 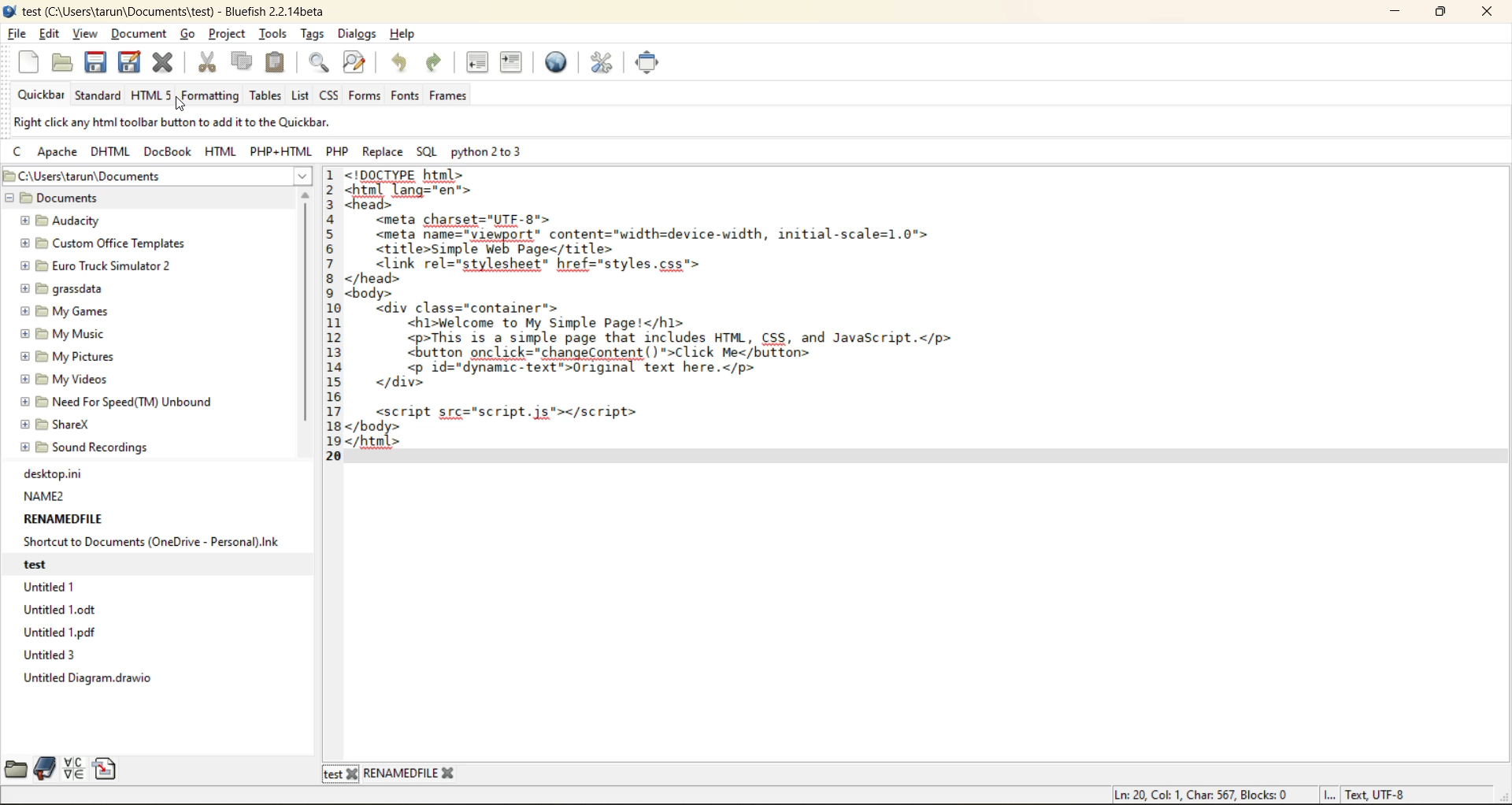 I want to click on apache, so click(x=57, y=150).